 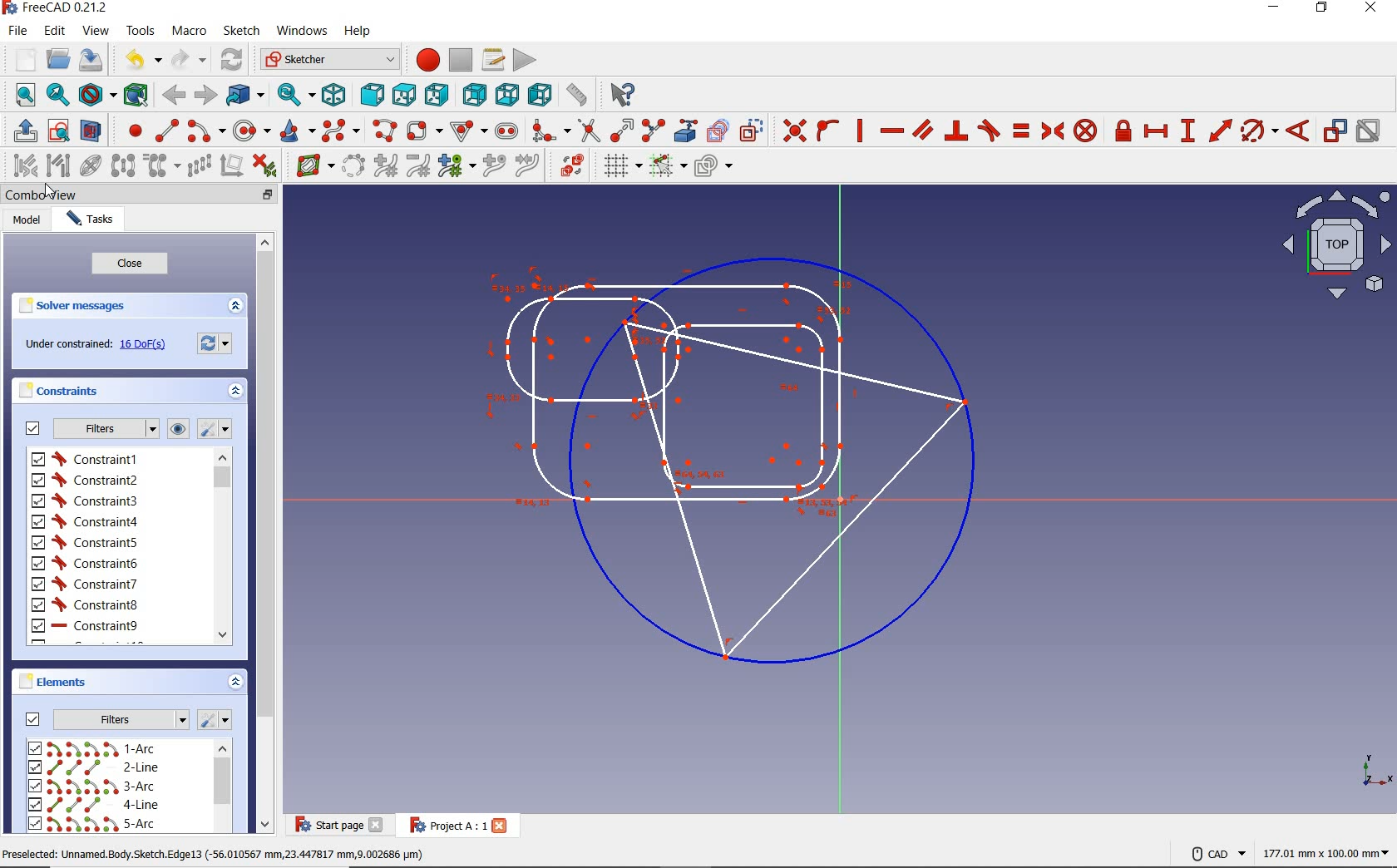 I want to click on save, so click(x=91, y=60).